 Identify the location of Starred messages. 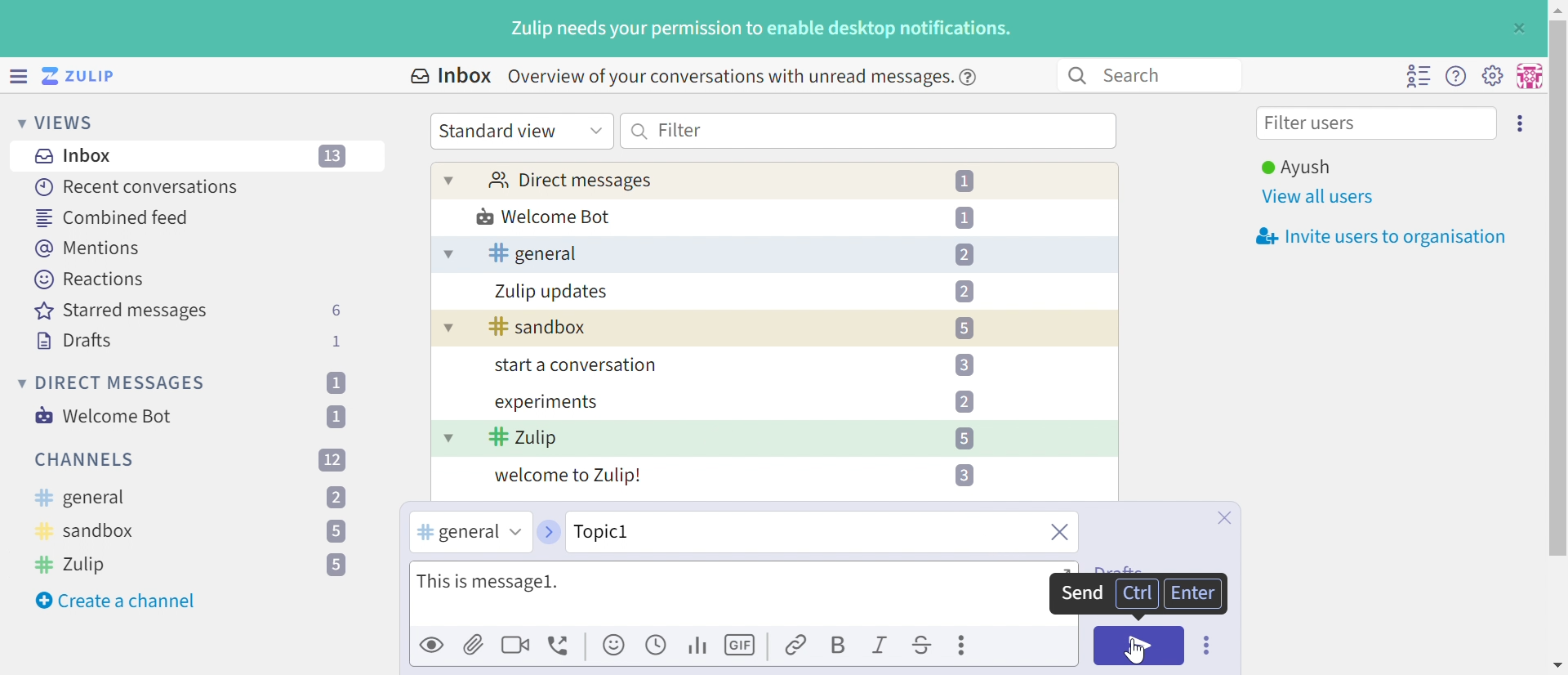
(121, 312).